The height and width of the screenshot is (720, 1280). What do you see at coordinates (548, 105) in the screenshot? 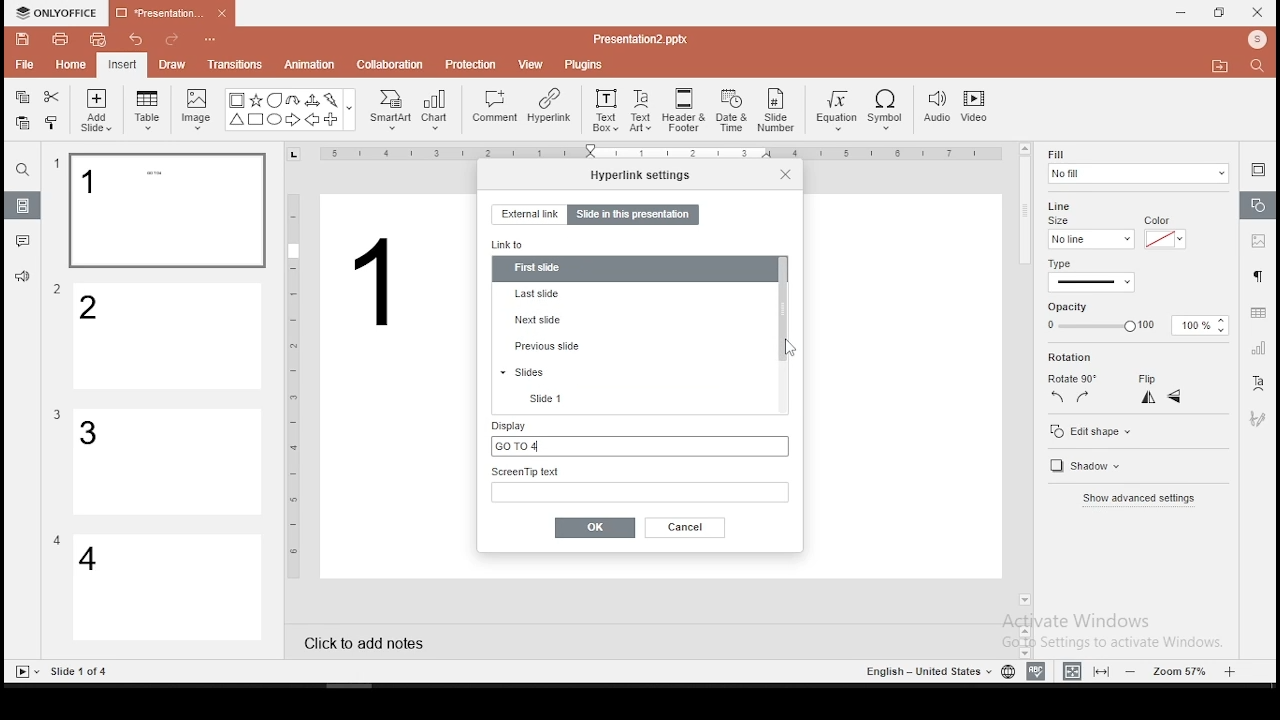
I see `hyperlink` at bounding box center [548, 105].